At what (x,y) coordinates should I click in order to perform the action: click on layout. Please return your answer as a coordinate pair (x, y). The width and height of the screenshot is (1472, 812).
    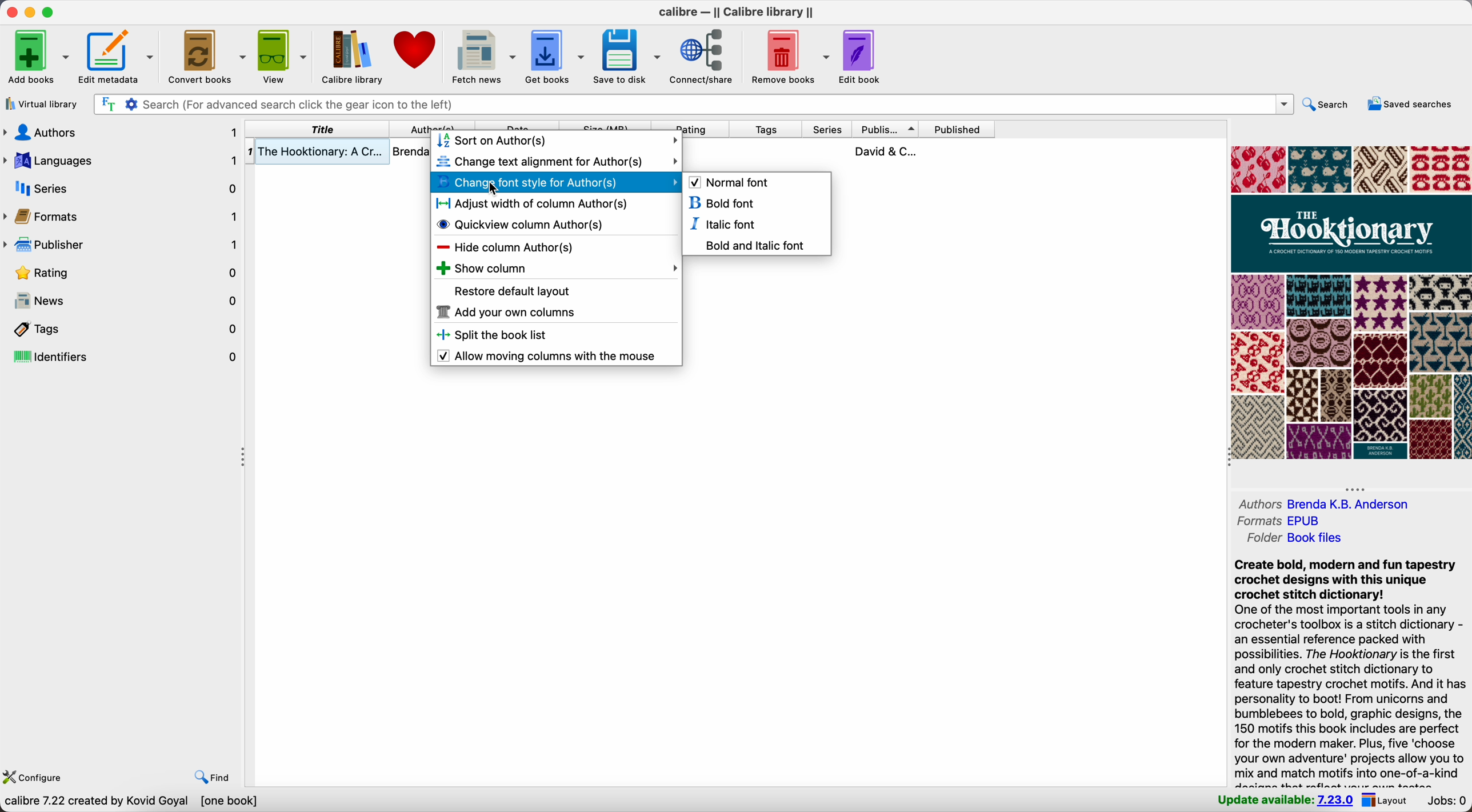
    Looking at the image, I should click on (1386, 800).